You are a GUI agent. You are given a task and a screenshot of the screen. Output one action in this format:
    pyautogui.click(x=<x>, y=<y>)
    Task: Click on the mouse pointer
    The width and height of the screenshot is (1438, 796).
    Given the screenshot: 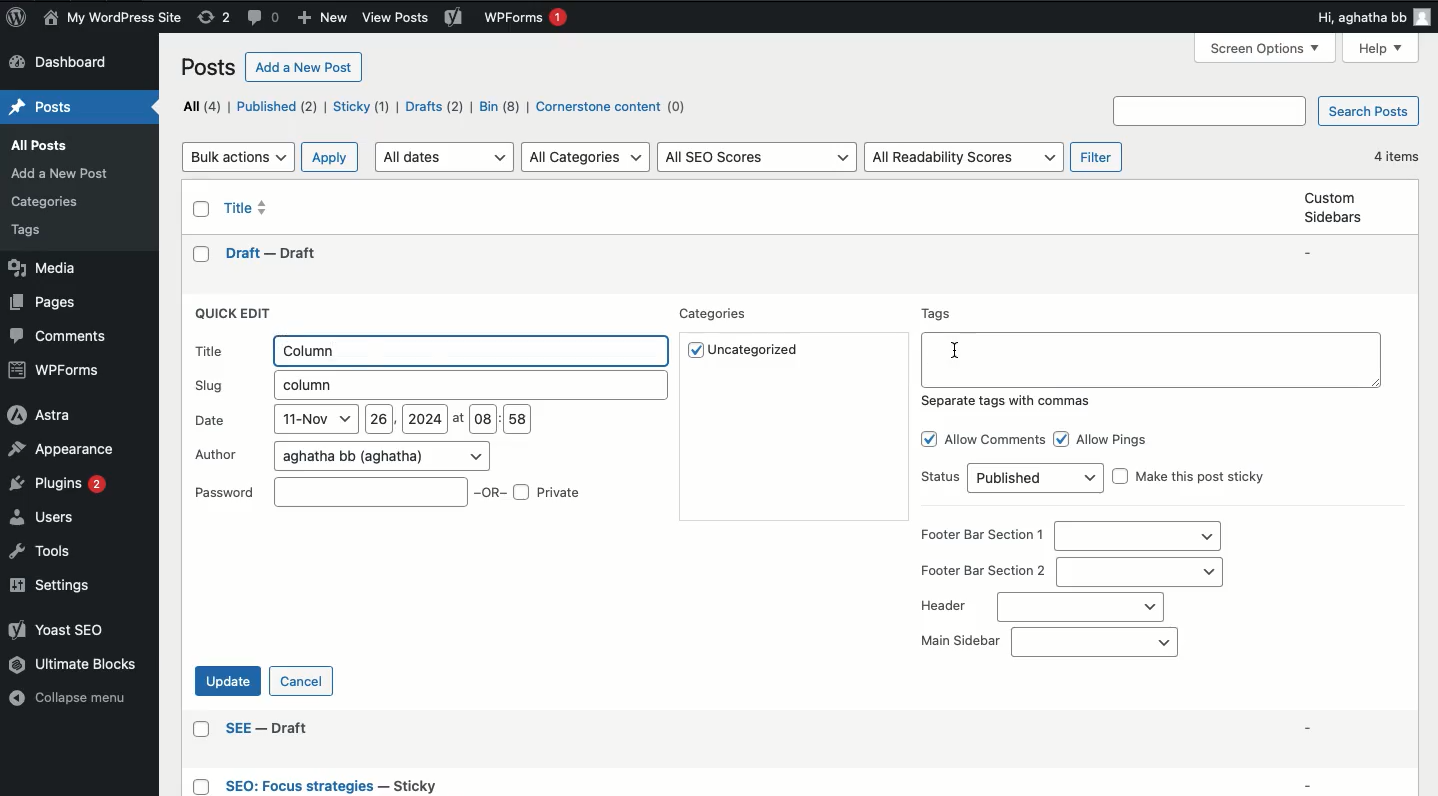 What is the action you would take?
    pyautogui.click(x=953, y=351)
    